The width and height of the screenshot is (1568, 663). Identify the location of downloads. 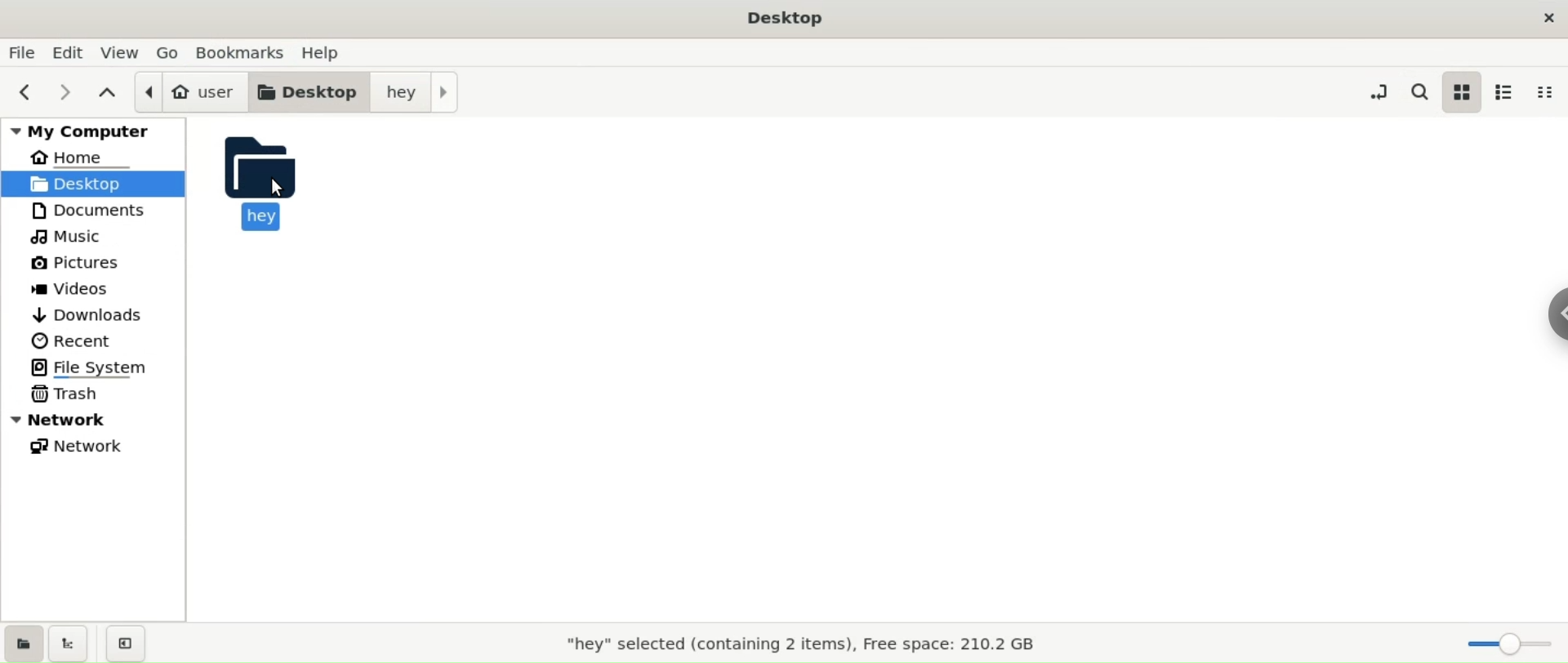
(88, 313).